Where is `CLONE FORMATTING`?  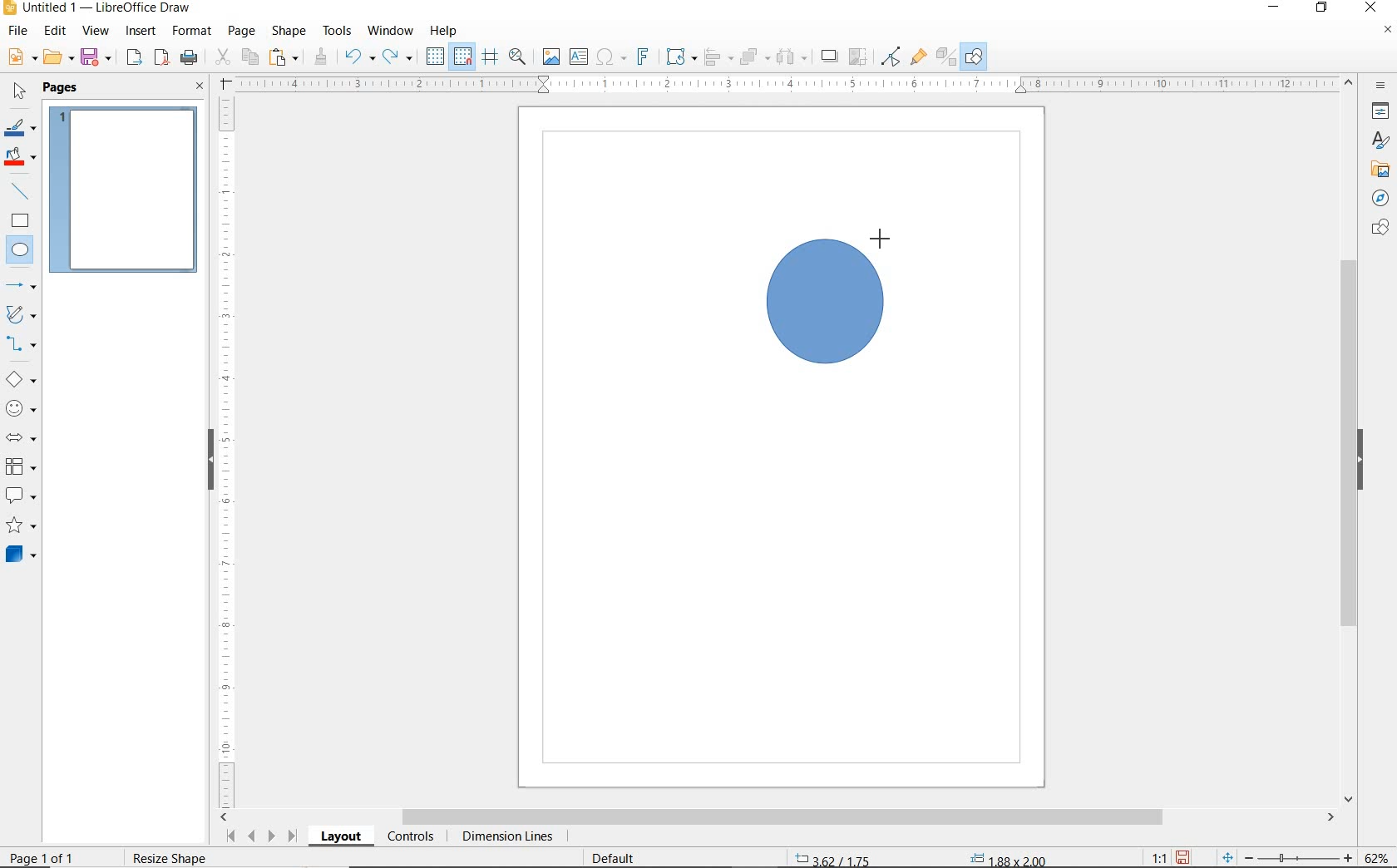 CLONE FORMATTING is located at coordinates (320, 57).